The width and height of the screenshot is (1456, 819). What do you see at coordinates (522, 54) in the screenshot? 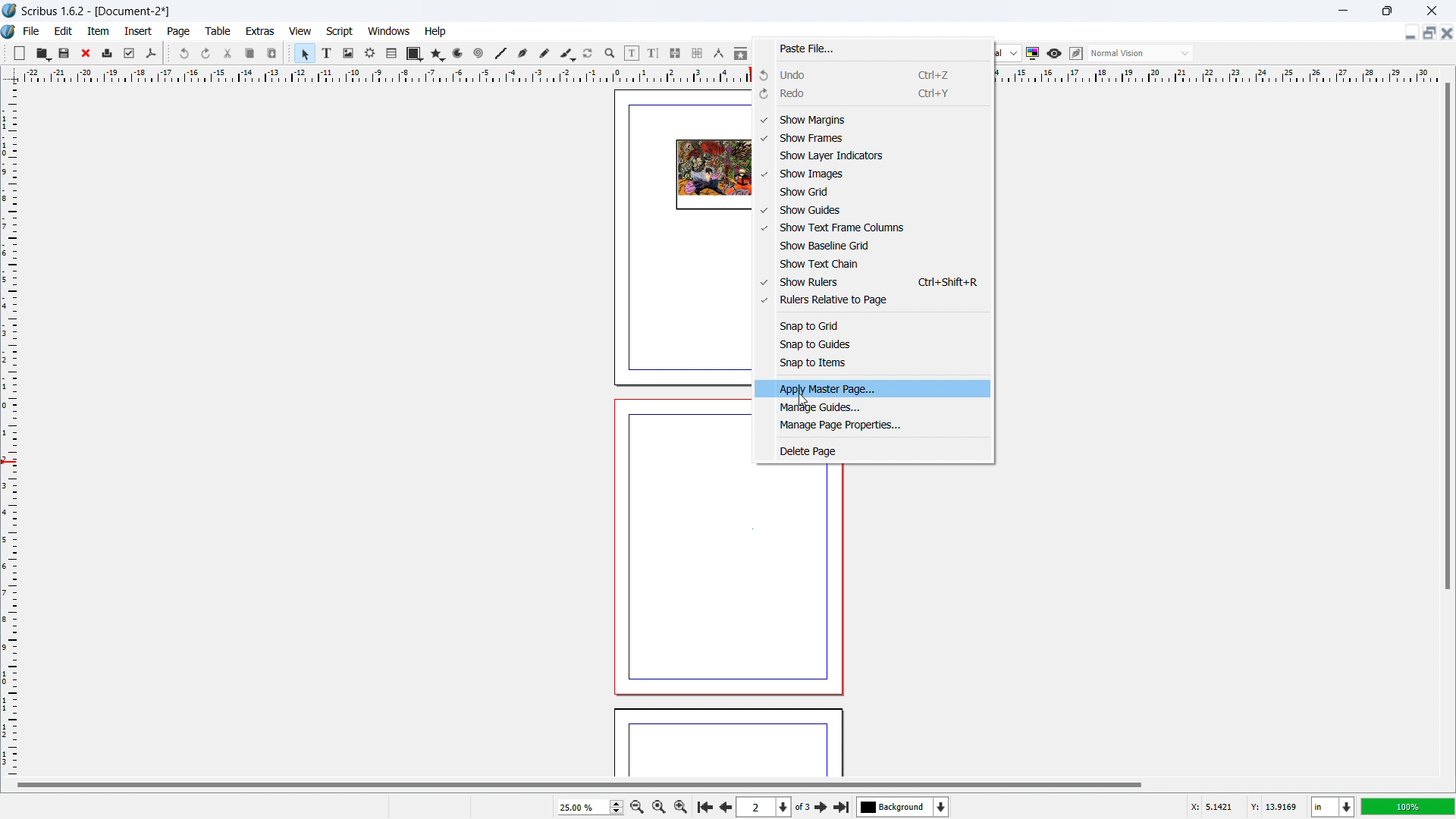
I see `bezier curve` at bounding box center [522, 54].